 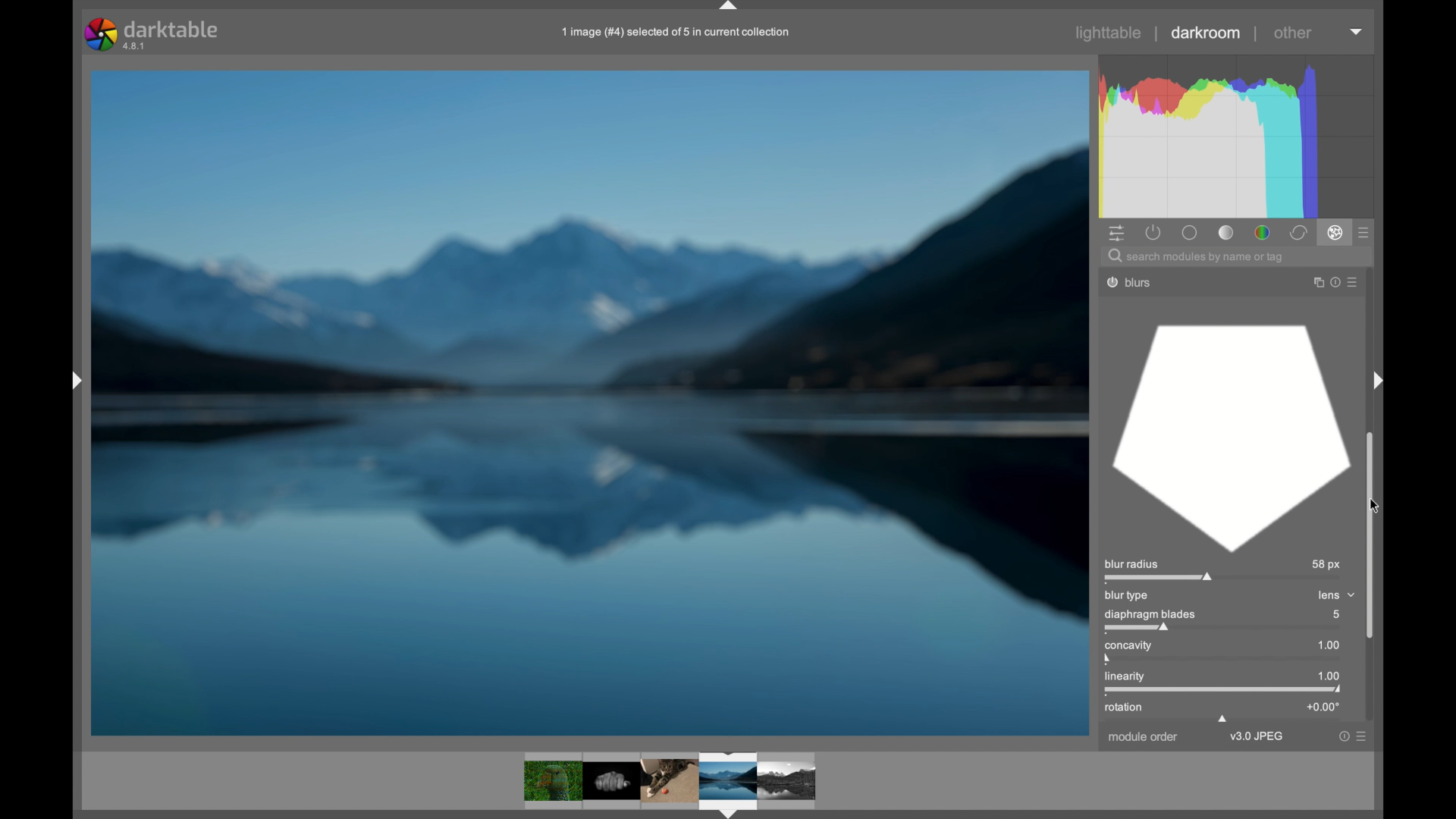 What do you see at coordinates (1136, 563) in the screenshot?
I see `blur radius` at bounding box center [1136, 563].